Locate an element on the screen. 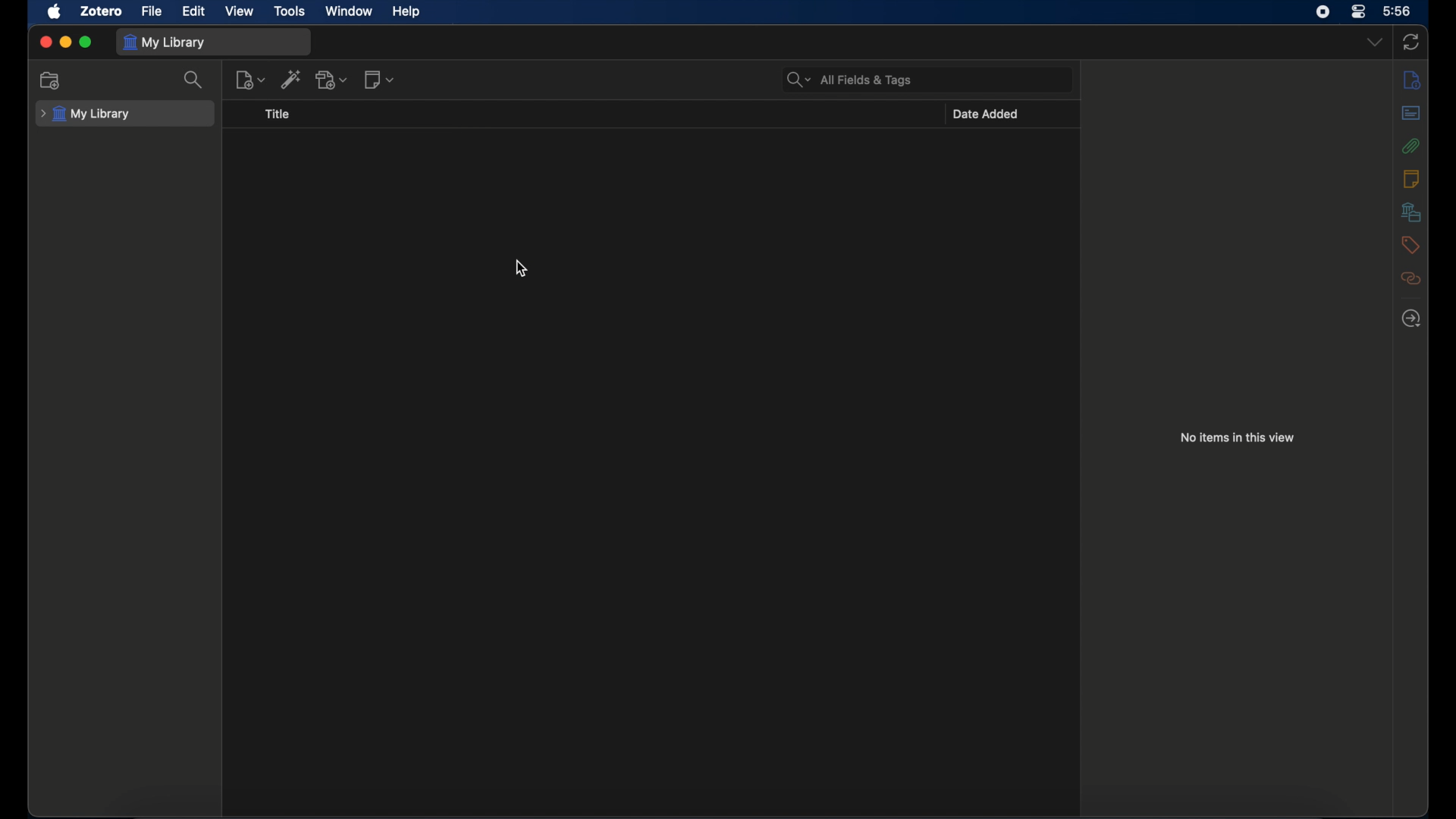  sync is located at coordinates (1411, 42).